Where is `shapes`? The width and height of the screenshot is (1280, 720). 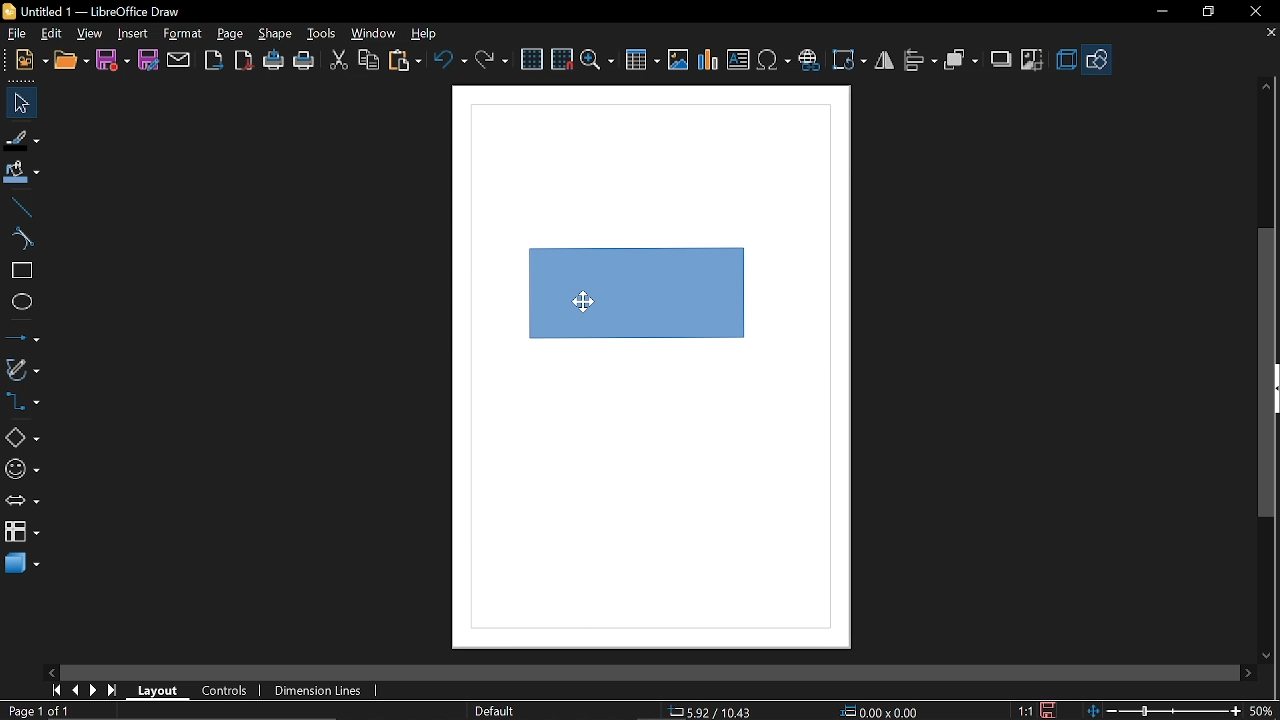
shapes is located at coordinates (1098, 59).